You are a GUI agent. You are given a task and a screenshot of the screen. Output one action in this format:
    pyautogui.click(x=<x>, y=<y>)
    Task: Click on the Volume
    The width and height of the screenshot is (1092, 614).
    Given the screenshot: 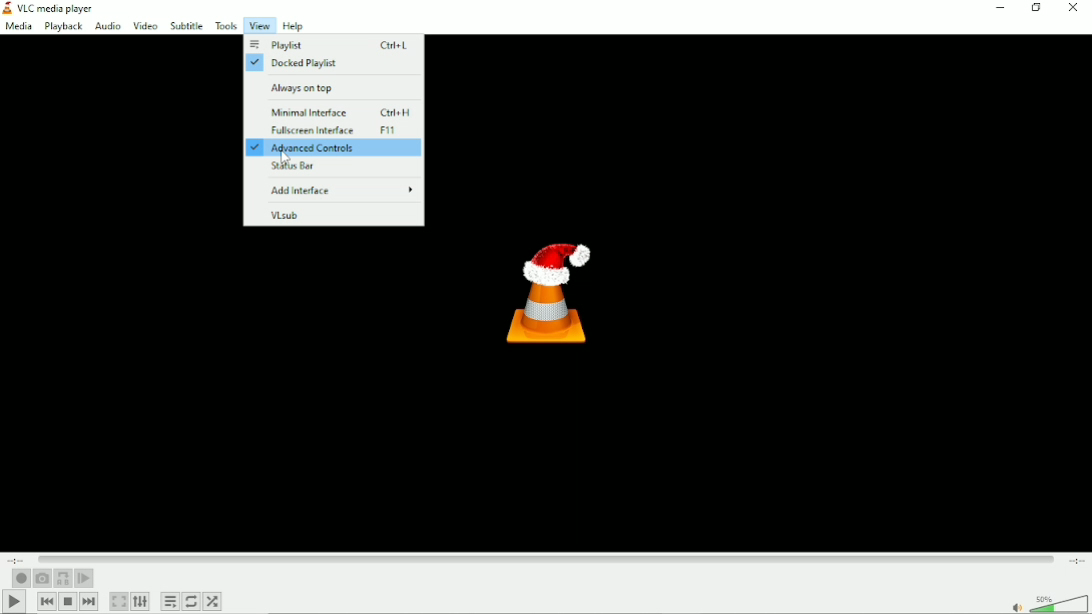 What is the action you would take?
    pyautogui.click(x=1045, y=598)
    